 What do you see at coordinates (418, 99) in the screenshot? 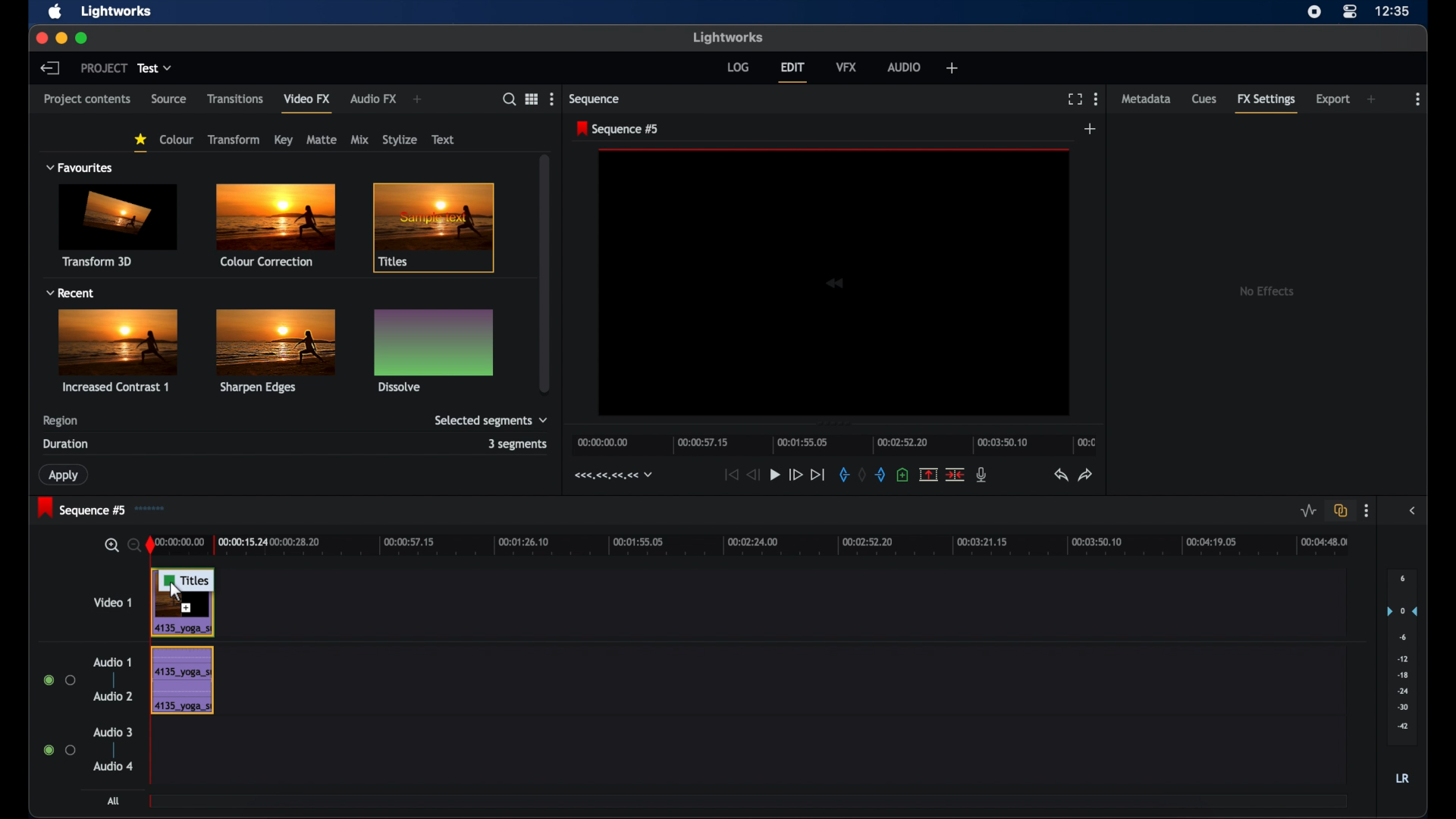
I see `add` at bounding box center [418, 99].